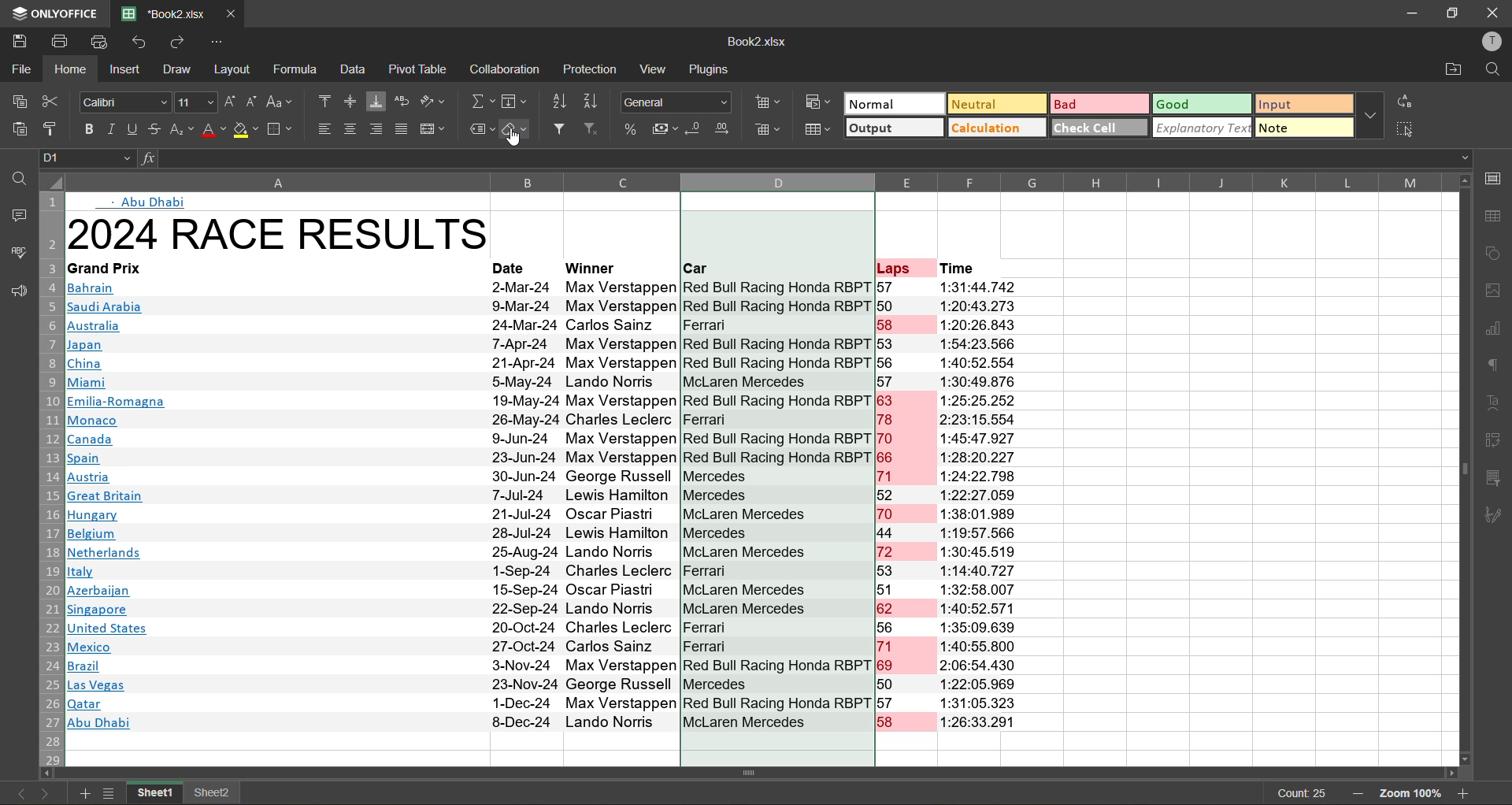 This screenshot has height=805, width=1512. What do you see at coordinates (698, 269) in the screenshot?
I see `Car` at bounding box center [698, 269].